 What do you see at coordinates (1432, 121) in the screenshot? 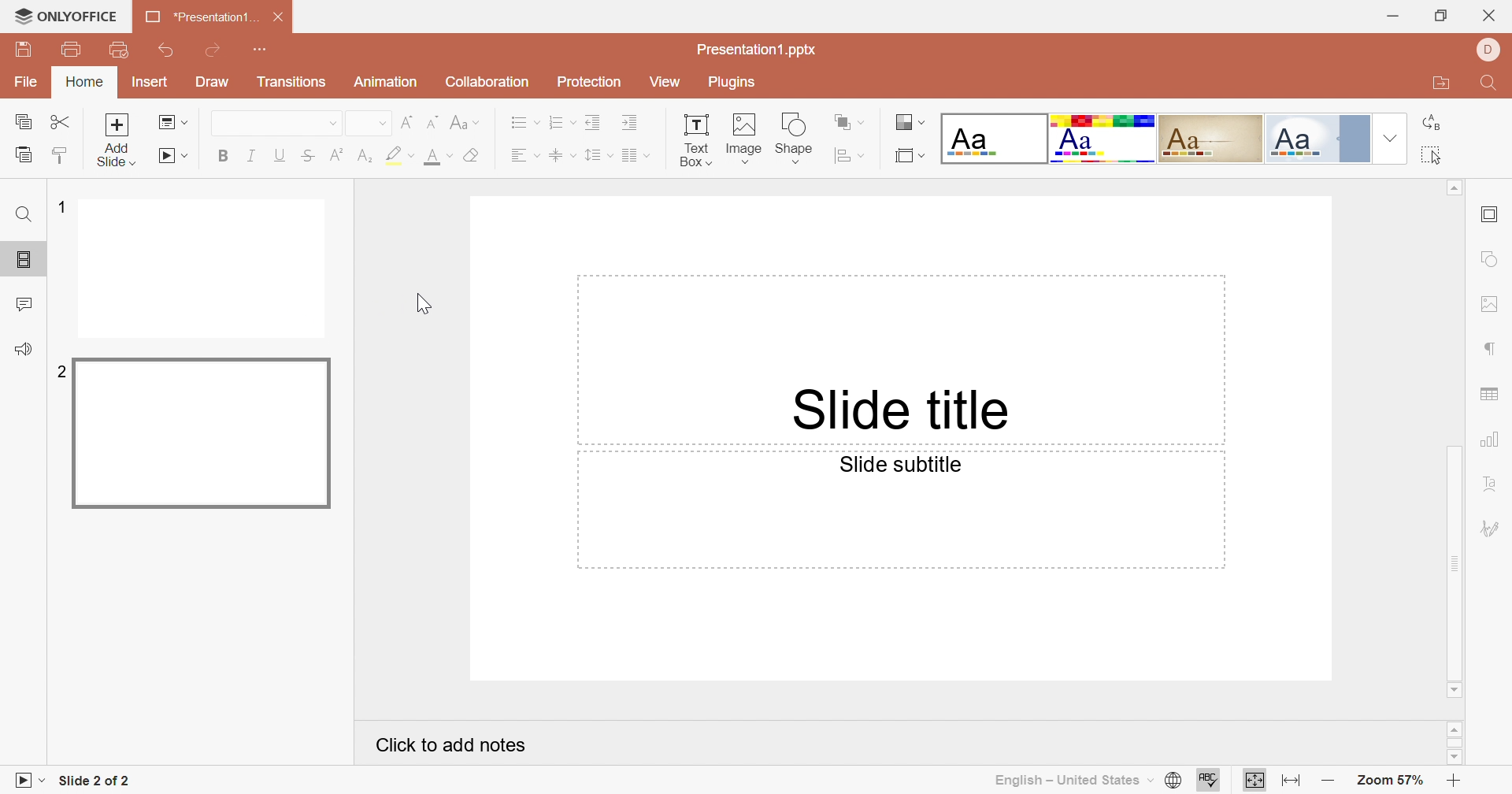
I see `Replace` at bounding box center [1432, 121].